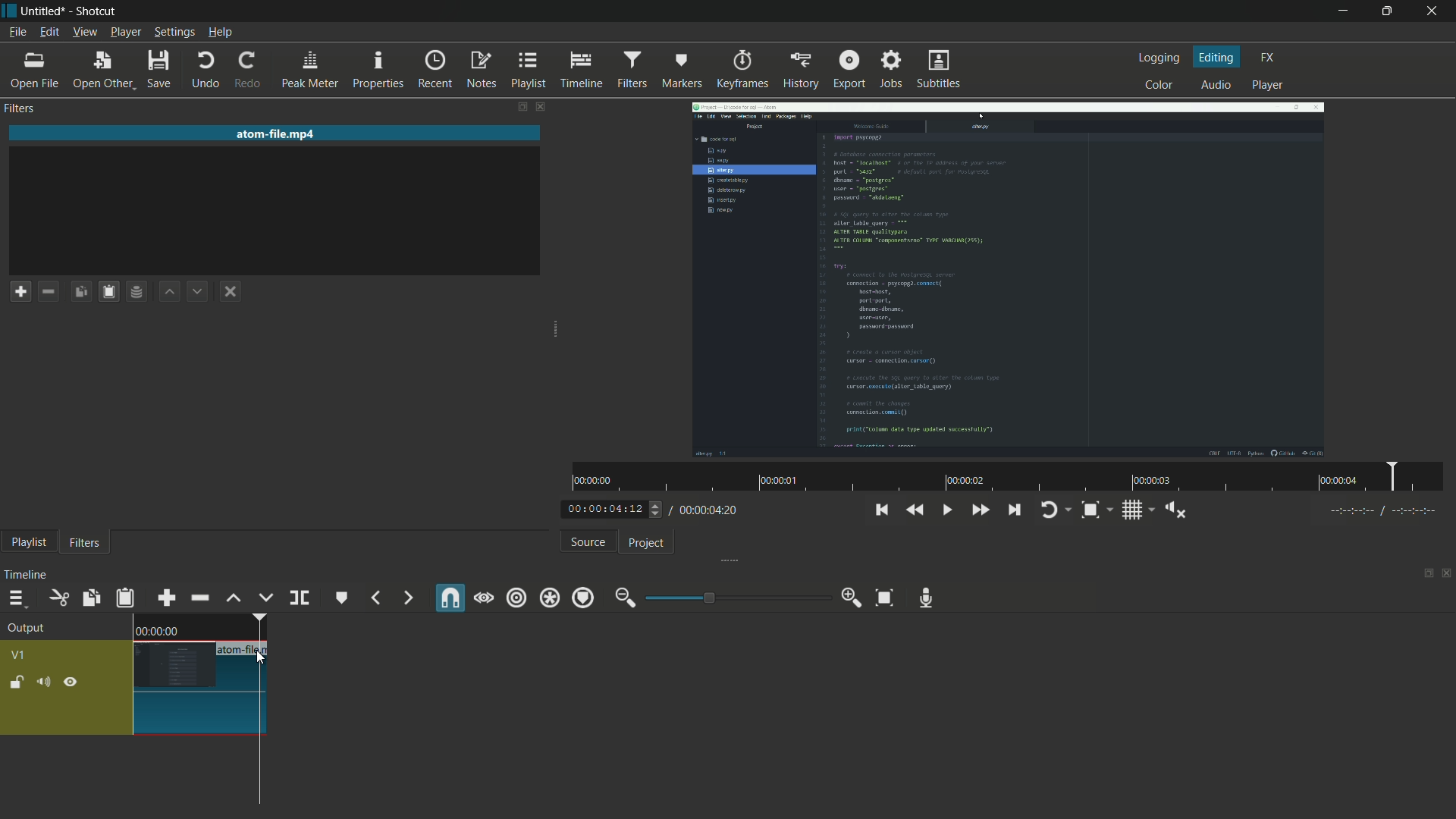  I want to click on delete, so click(256, 656).